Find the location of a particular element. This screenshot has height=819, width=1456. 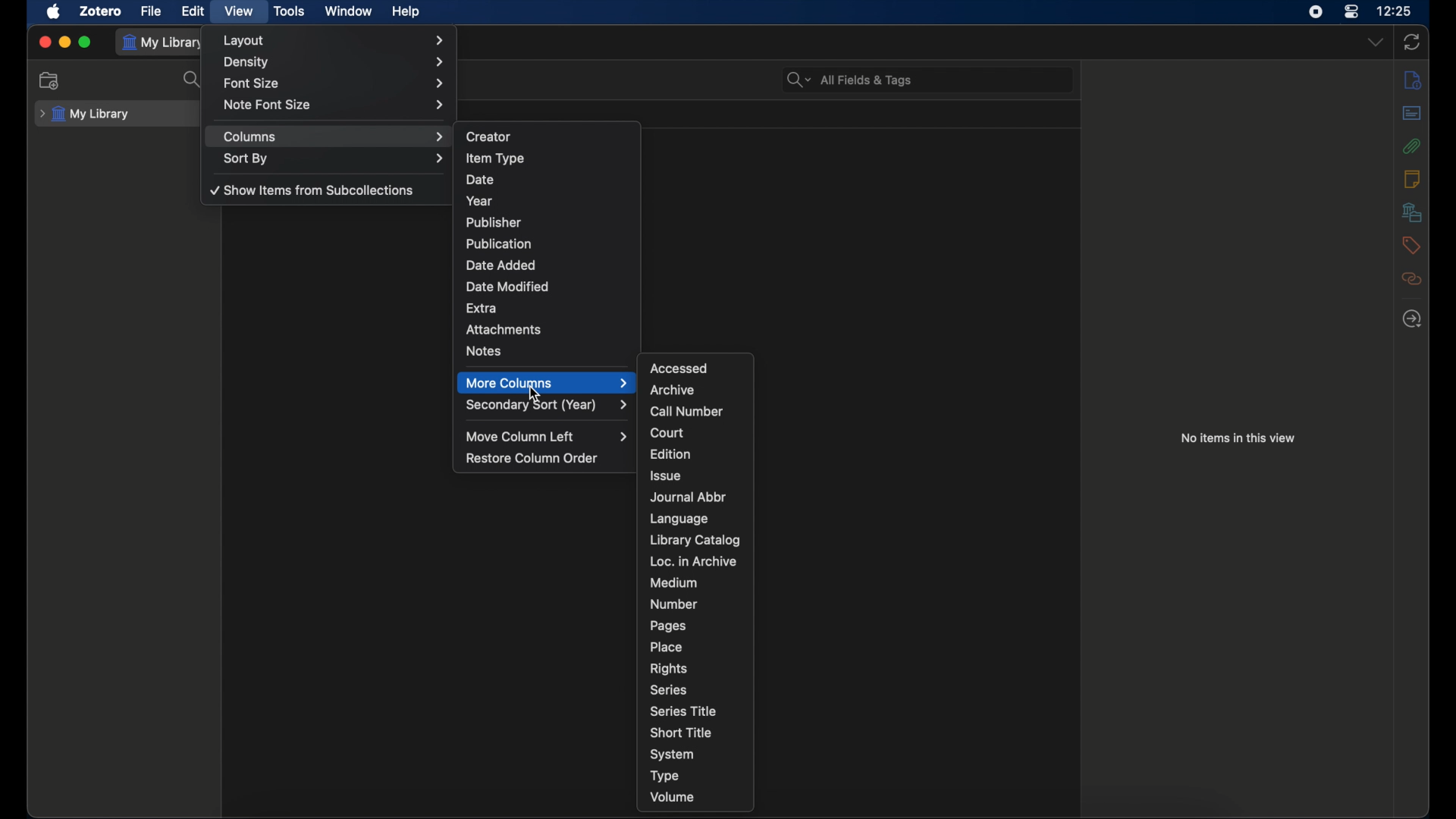

attachments is located at coordinates (504, 330).